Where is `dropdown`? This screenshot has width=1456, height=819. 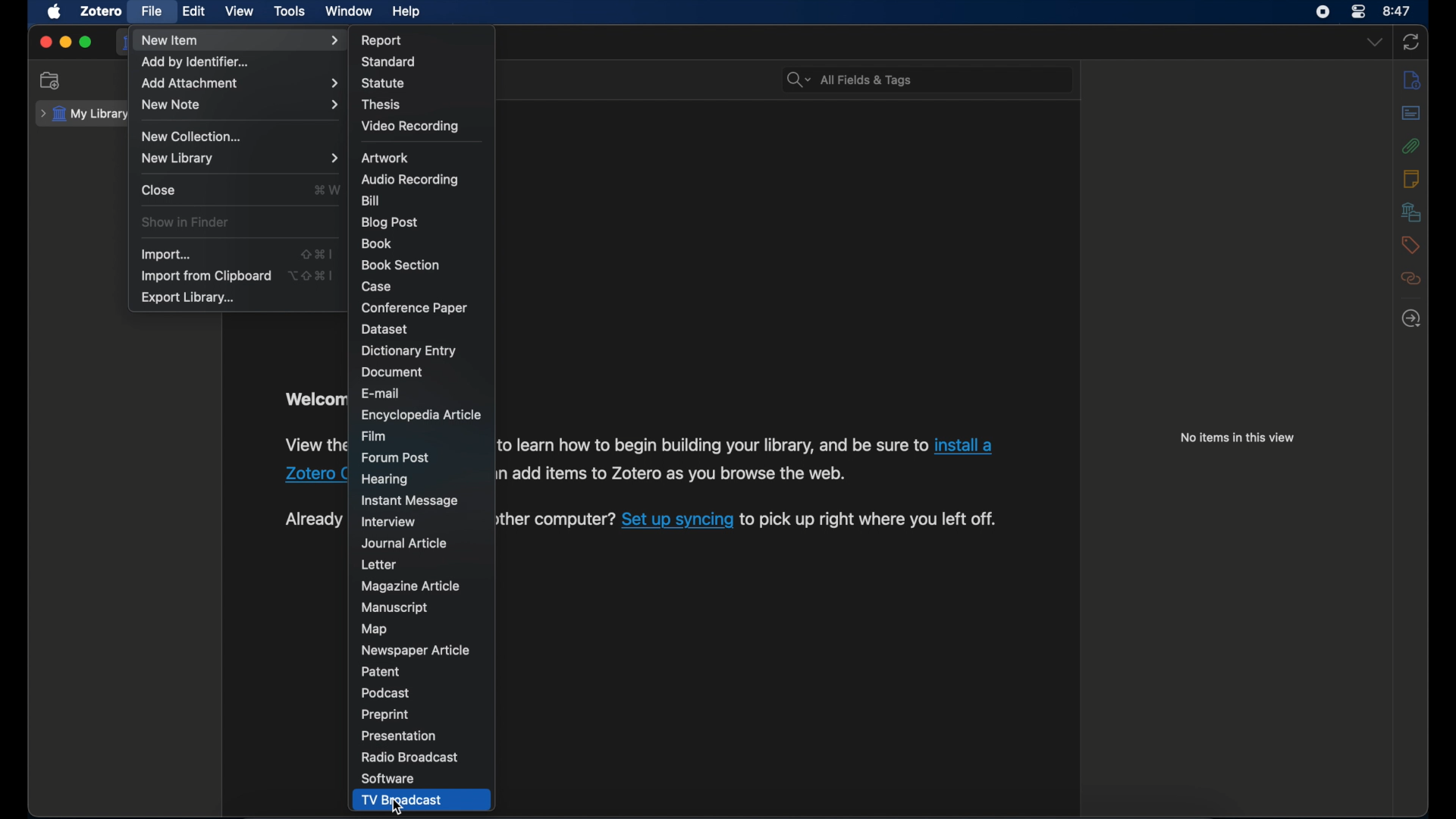
dropdown is located at coordinates (1374, 42).